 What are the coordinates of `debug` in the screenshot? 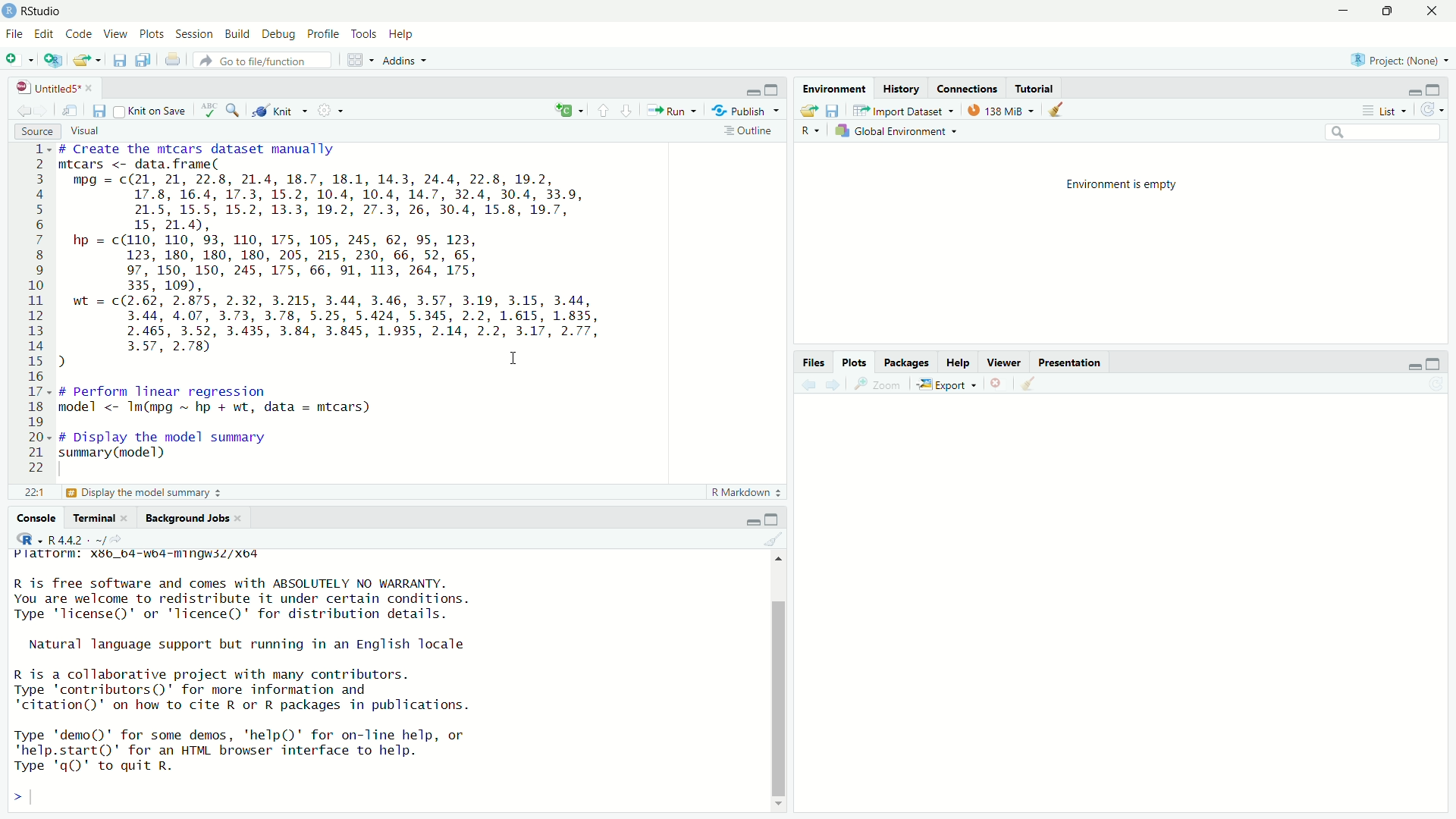 It's located at (280, 34).